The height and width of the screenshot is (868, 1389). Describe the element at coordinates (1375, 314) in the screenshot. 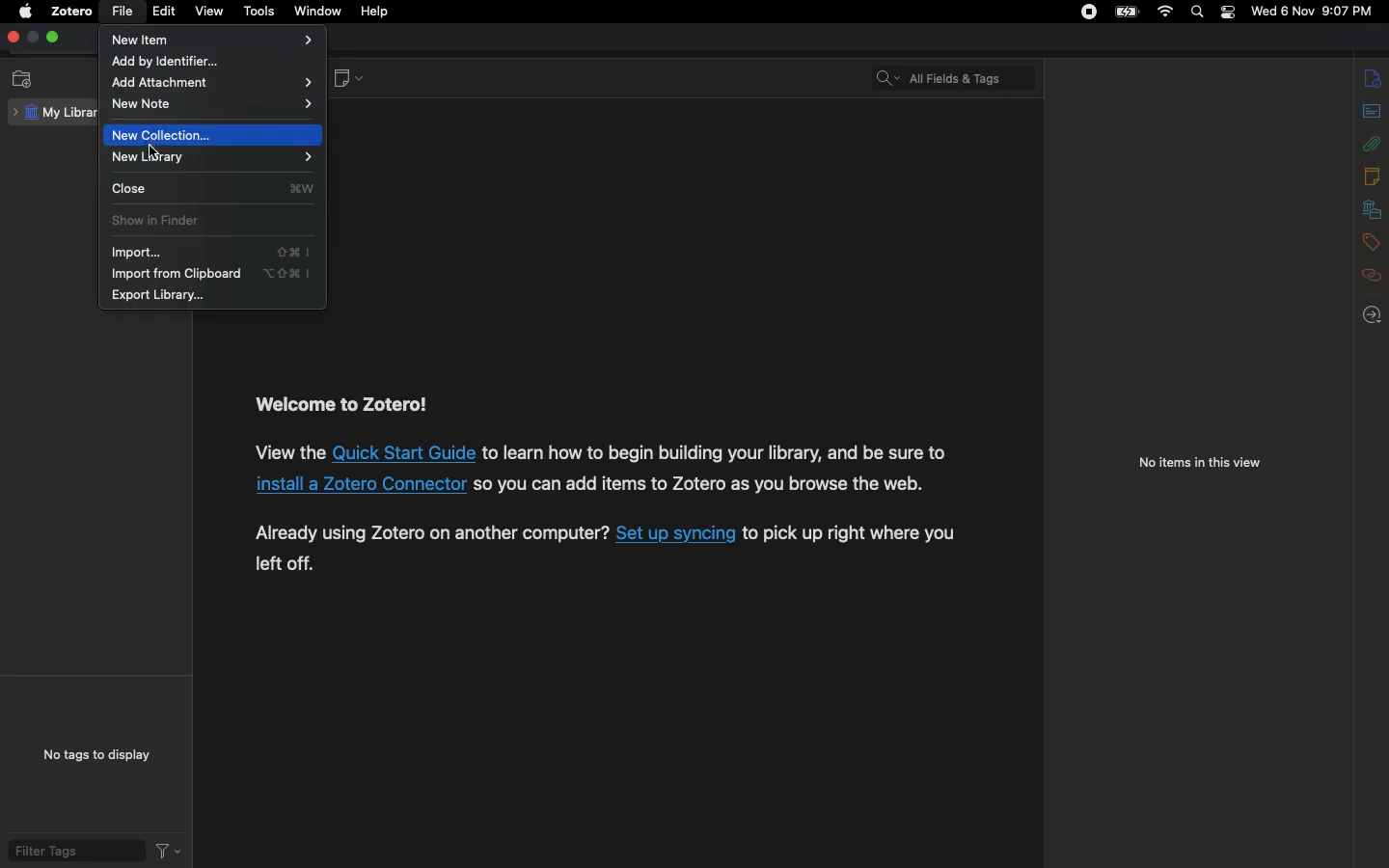

I see `Locate` at that location.